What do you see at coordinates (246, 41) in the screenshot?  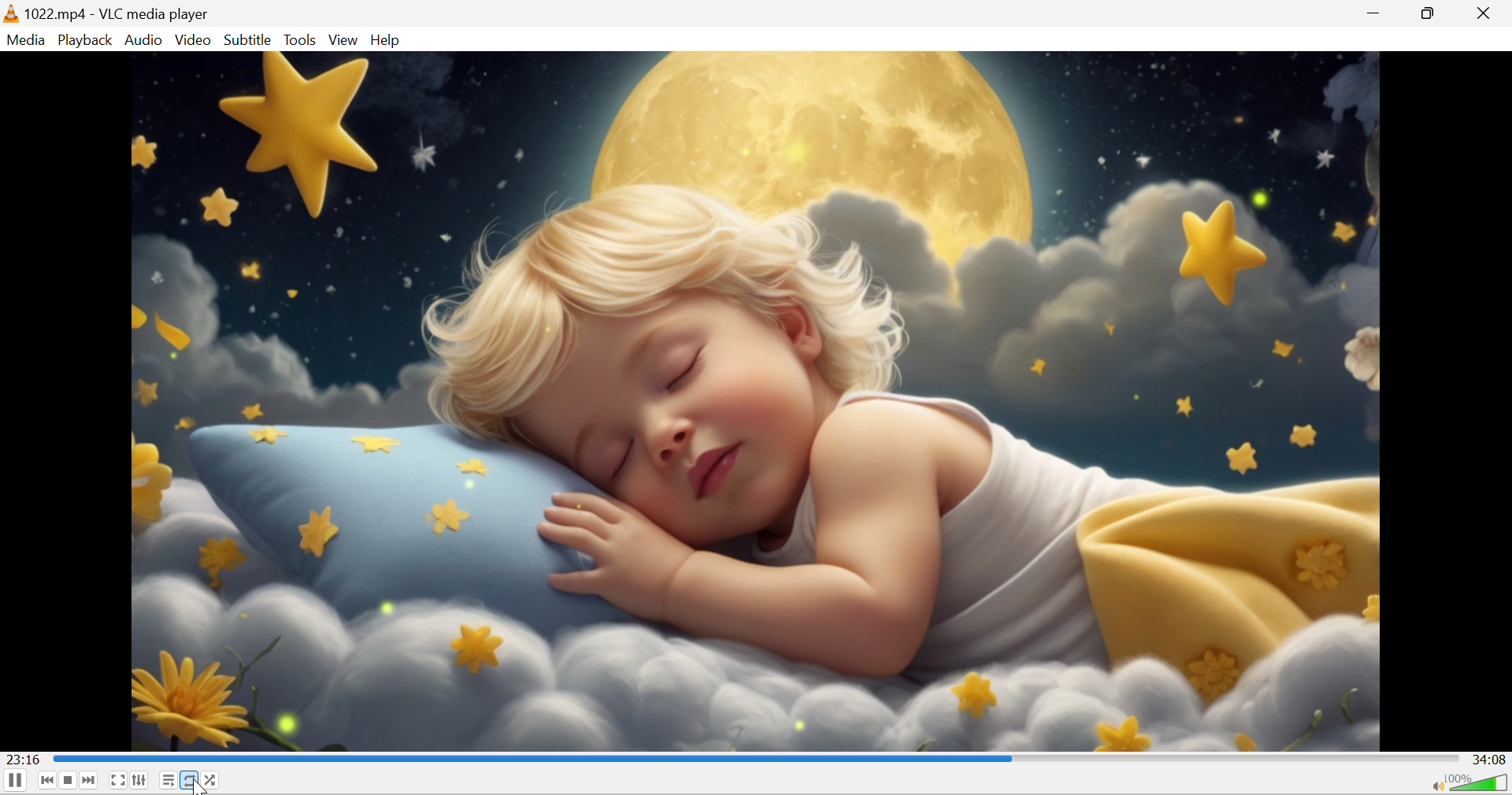 I see `Subtitle` at bounding box center [246, 41].